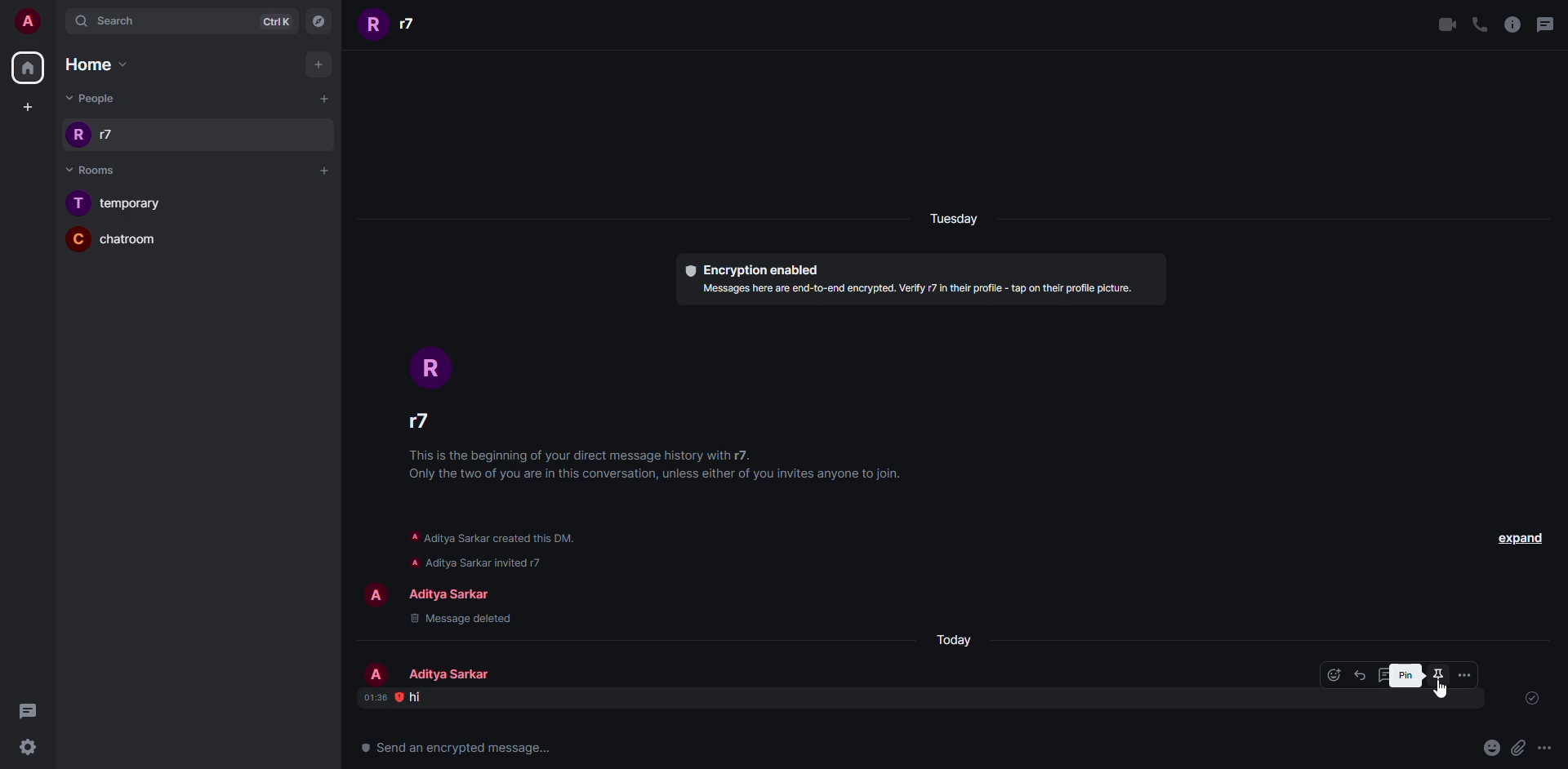 The image size is (1568, 769). What do you see at coordinates (274, 21) in the screenshot?
I see `ctrlK` at bounding box center [274, 21].